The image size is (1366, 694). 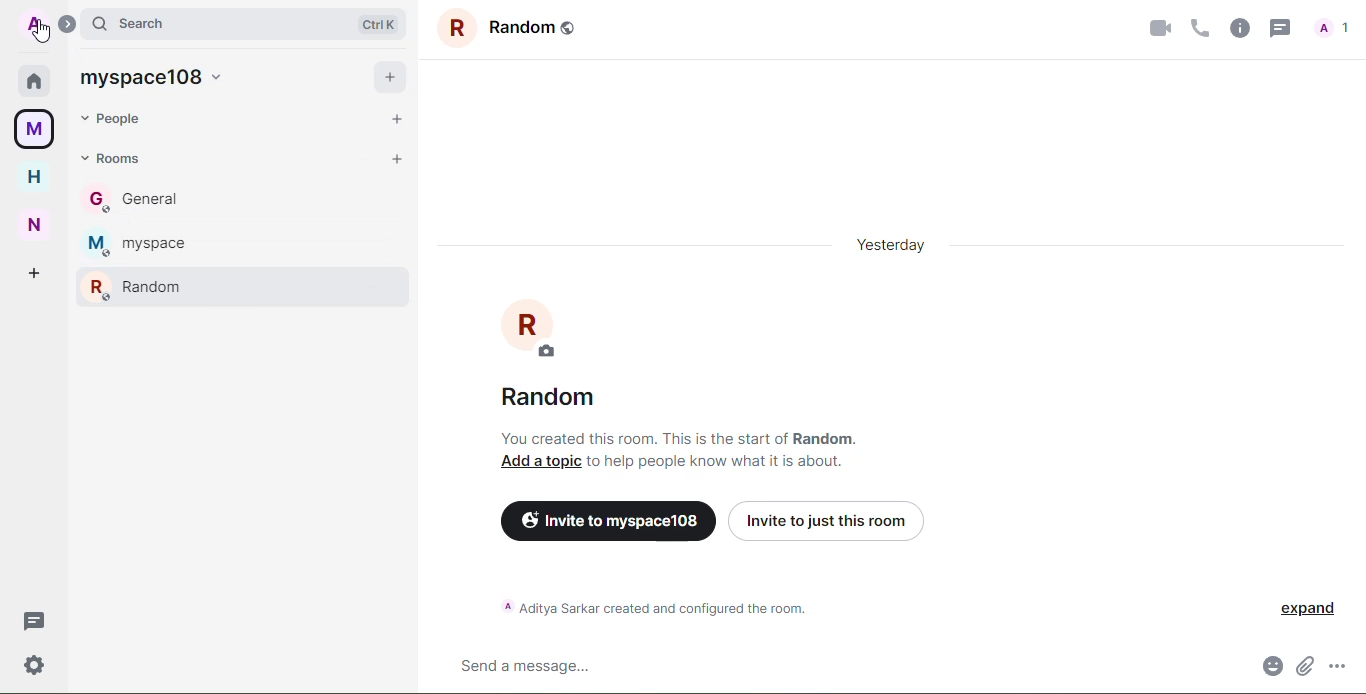 What do you see at coordinates (675, 609) in the screenshot?
I see `A Aditya Sarkar created and configured the room.` at bounding box center [675, 609].